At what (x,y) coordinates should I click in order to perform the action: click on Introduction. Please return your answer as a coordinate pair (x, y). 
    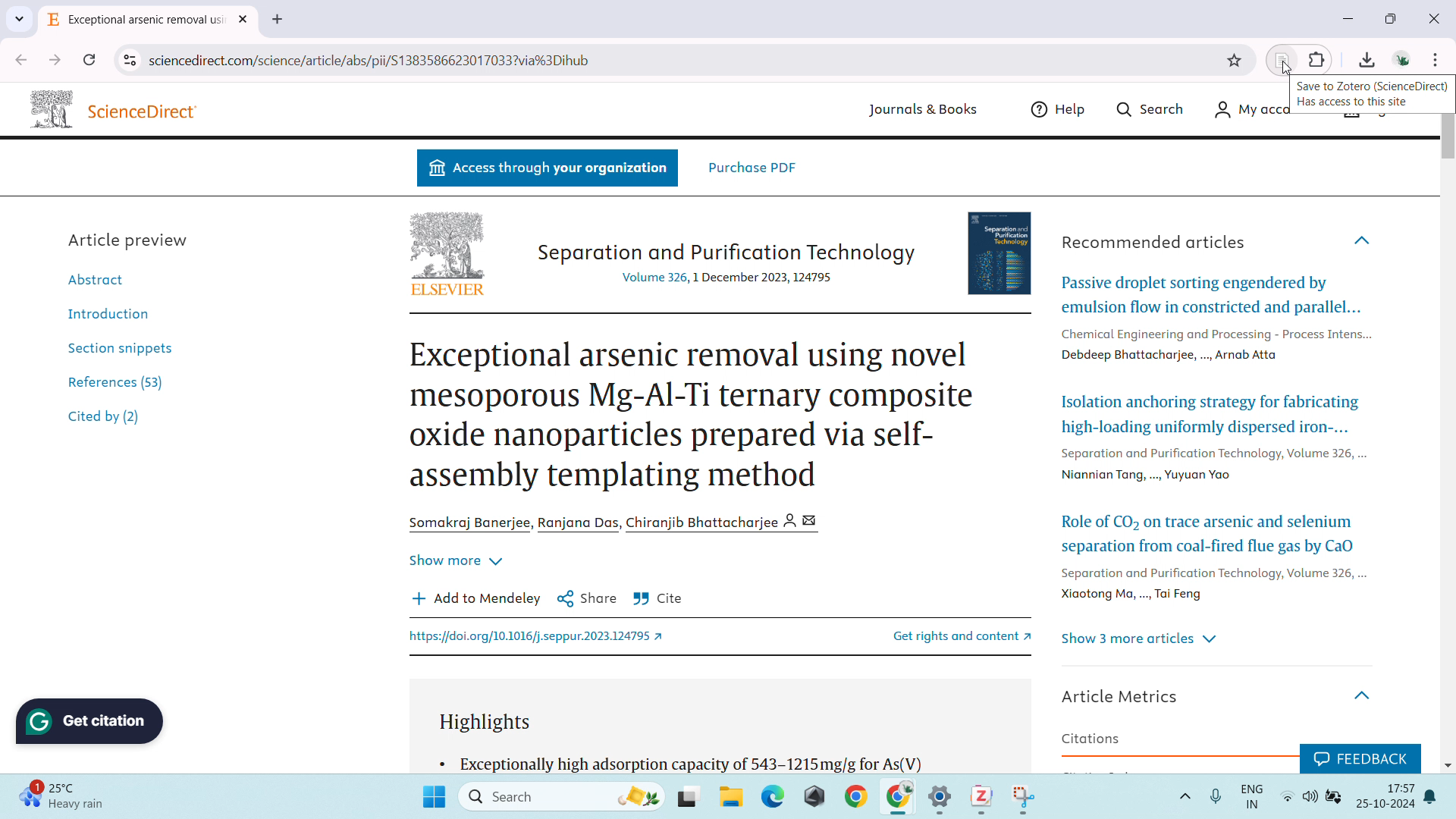
    Looking at the image, I should click on (104, 312).